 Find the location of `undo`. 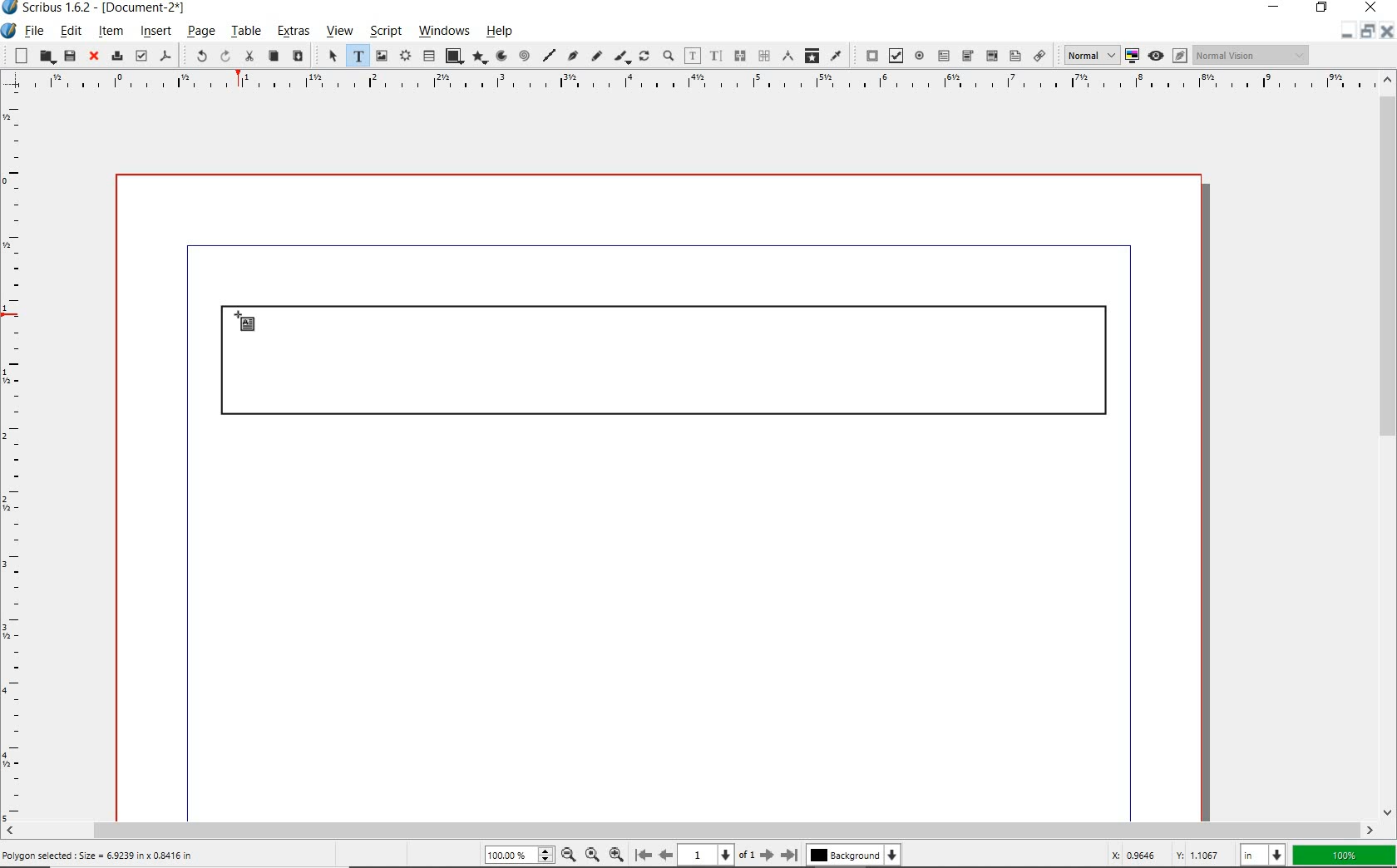

undo is located at coordinates (196, 57).